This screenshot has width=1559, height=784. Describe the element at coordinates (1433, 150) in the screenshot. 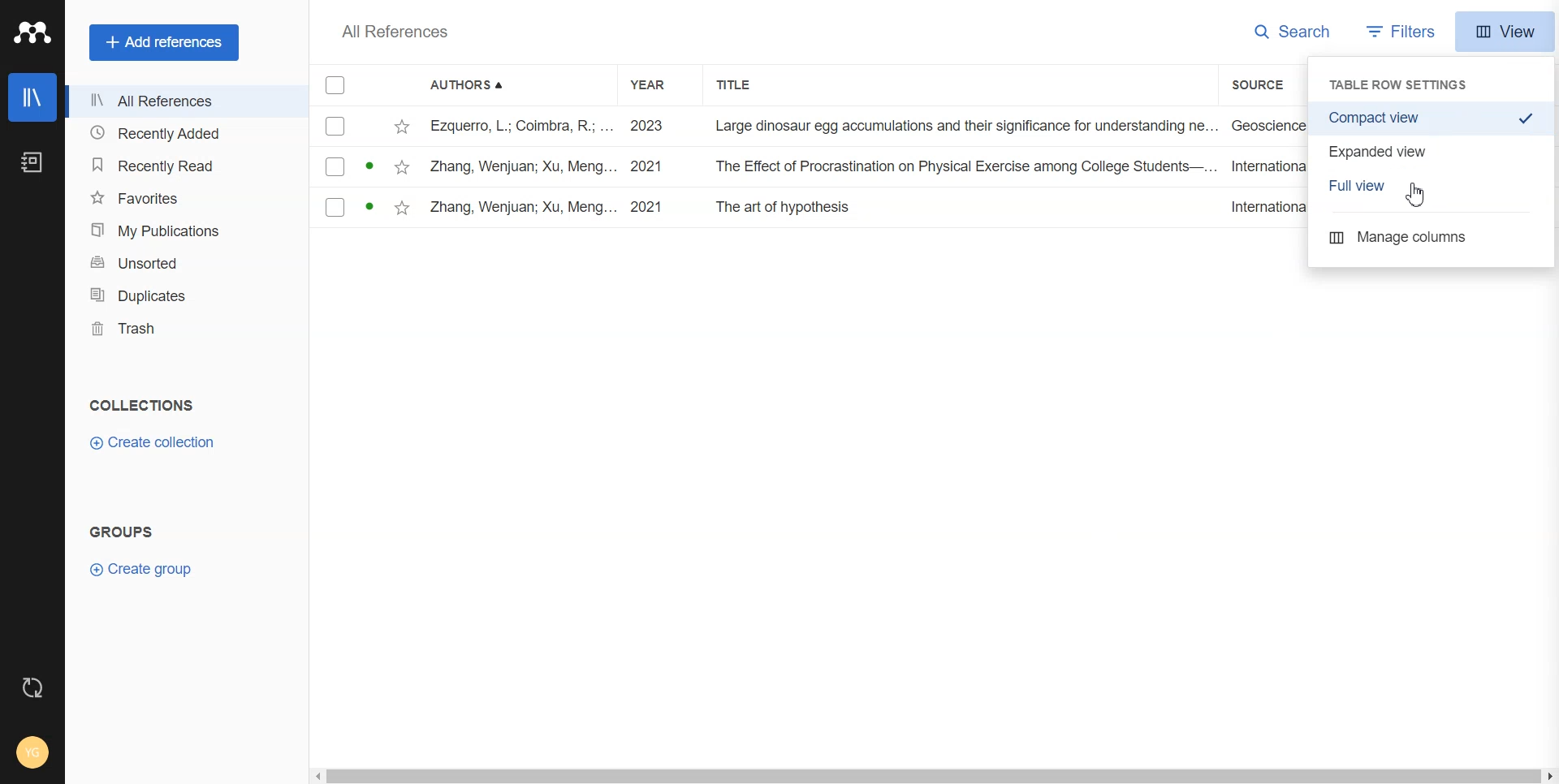

I see `Expanded view` at that location.